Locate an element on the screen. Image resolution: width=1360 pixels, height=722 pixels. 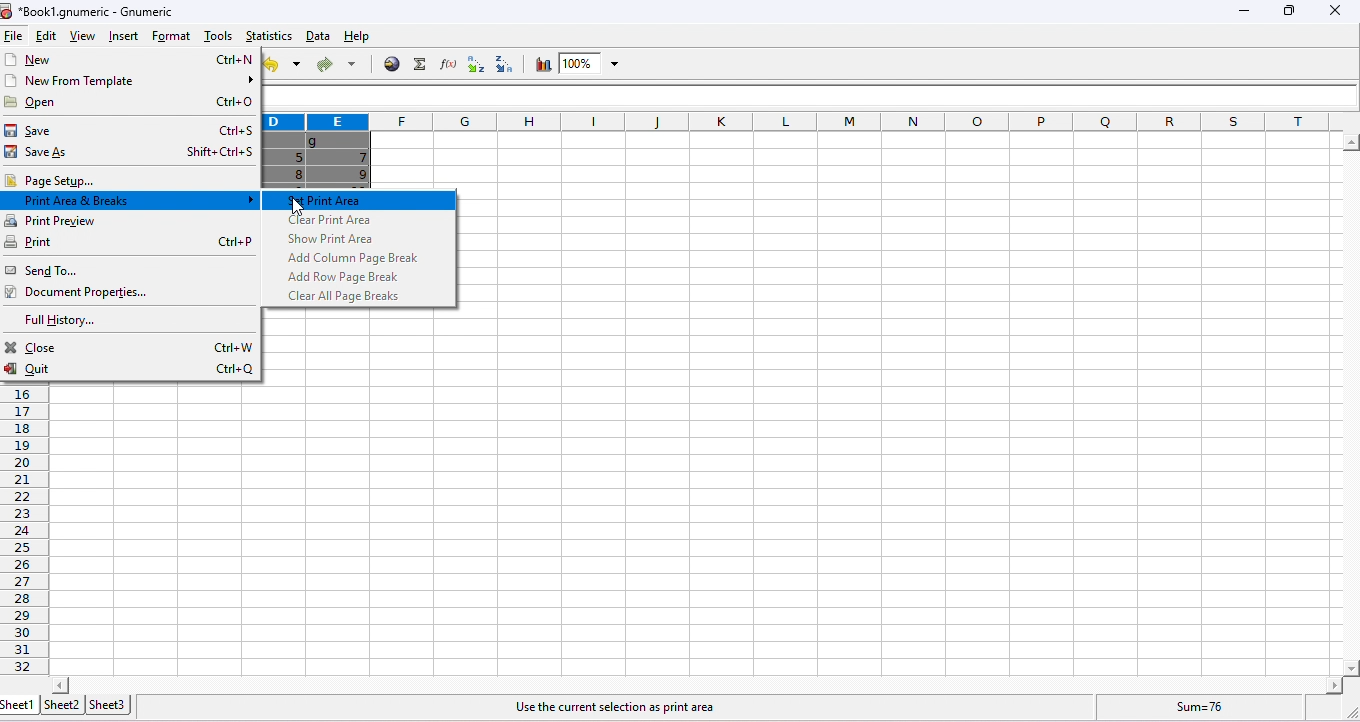
save as is located at coordinates (132, 154).